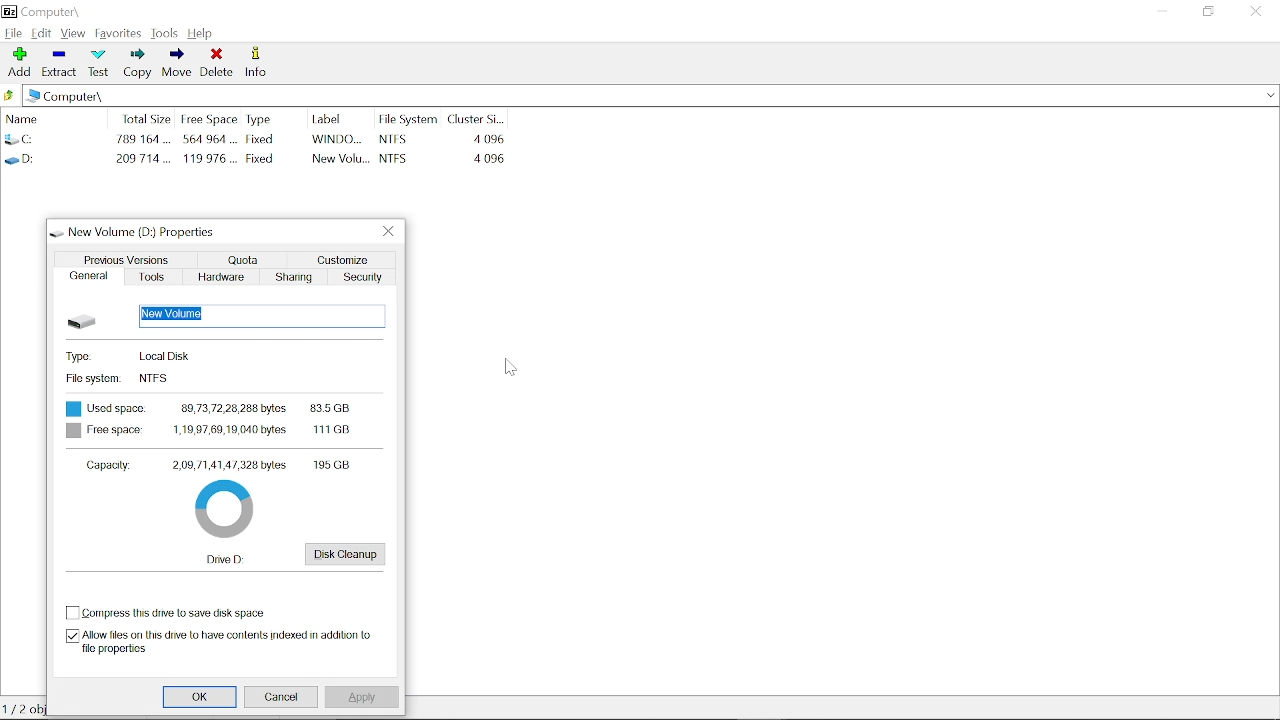 Image resolution: width=1280 pixels, height=720 pixels. What do you see at coordinates (217, 62) in the screenshot?
I see `delete` at bounding box center [217, 62].